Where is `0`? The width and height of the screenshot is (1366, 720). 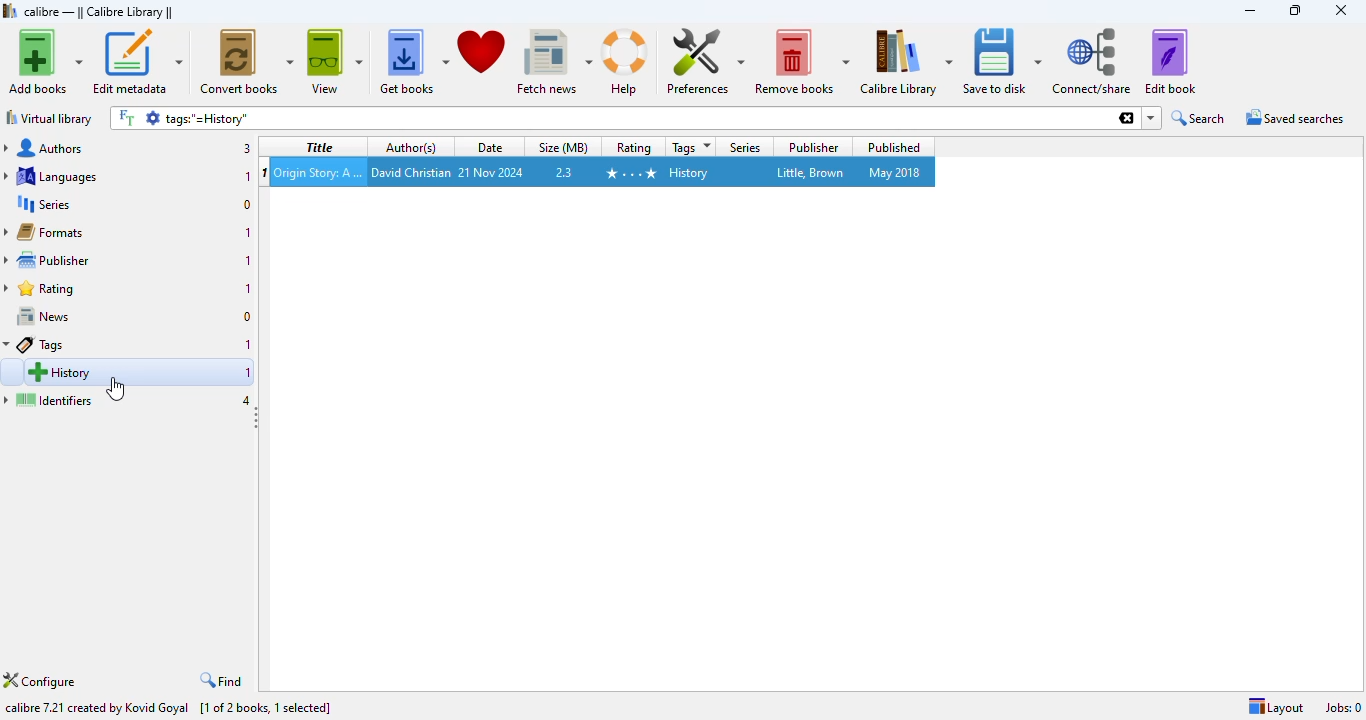 0 is located at coordinates (248, 317).